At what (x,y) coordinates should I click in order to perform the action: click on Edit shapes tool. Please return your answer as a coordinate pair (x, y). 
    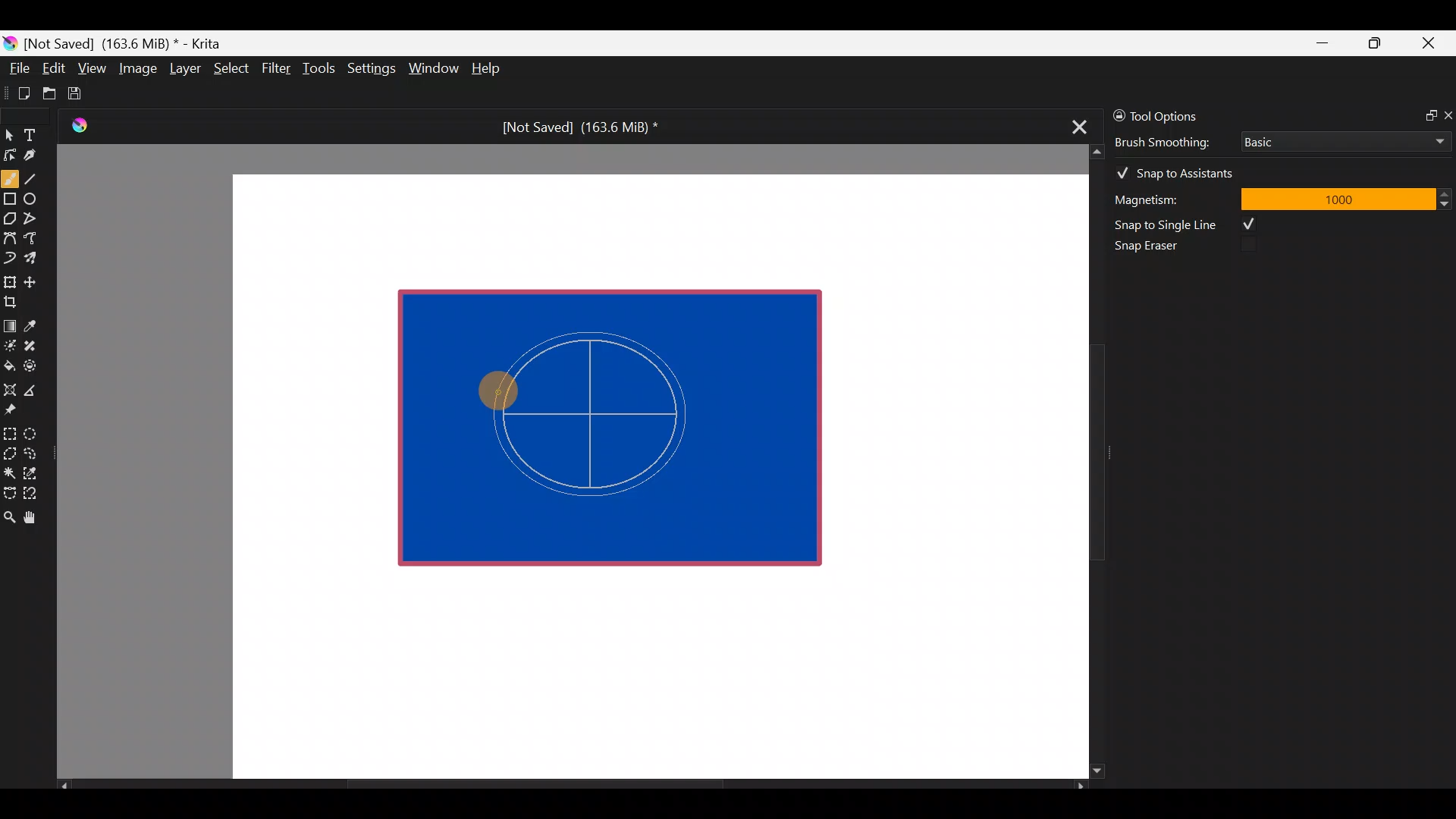
    Looking at the image, I should click on (10, 154).